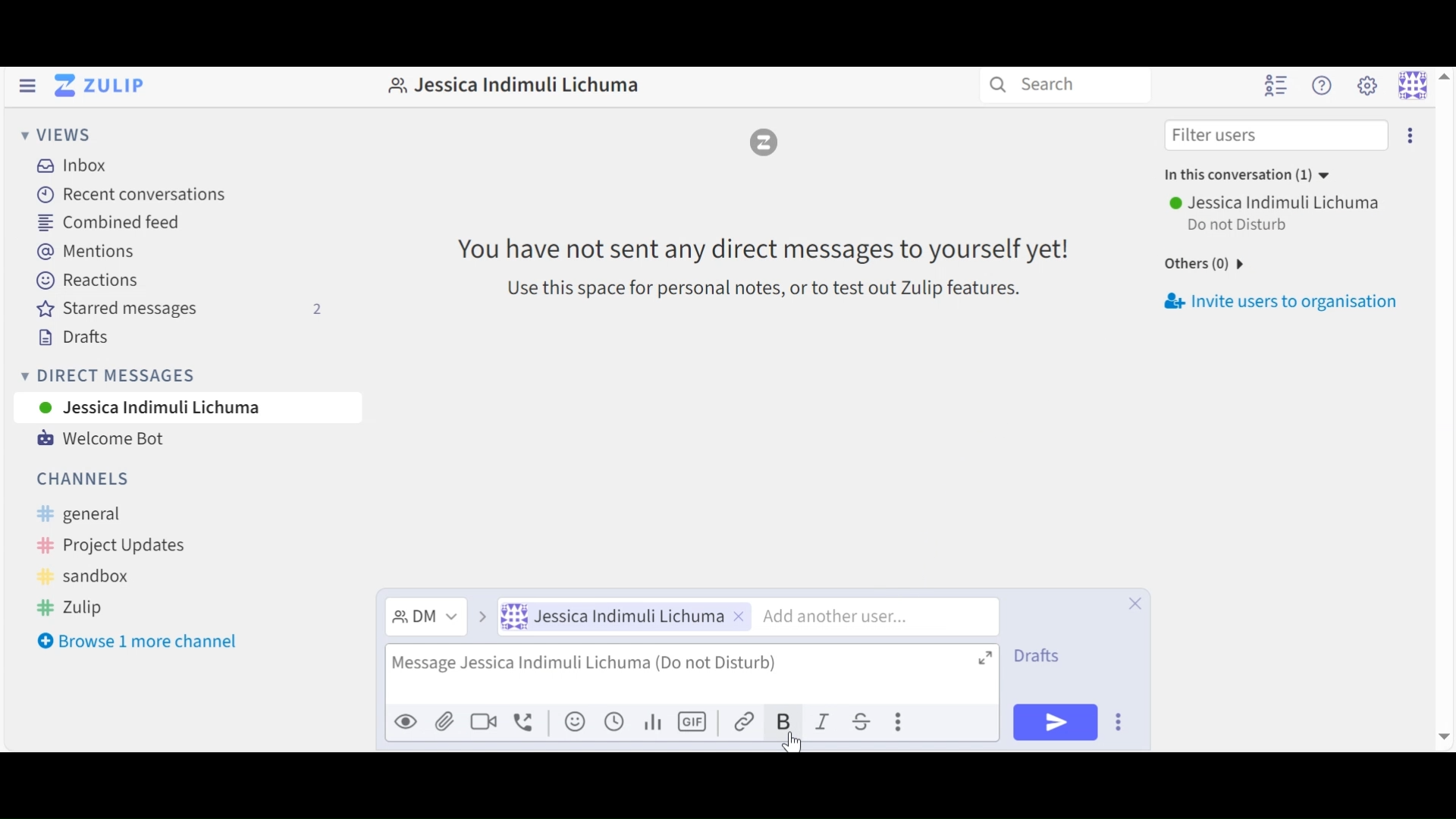 The height and width of the screenshot is (819, 1456). Describe the element at coordinates (110, 224) in the screenshot. I see `Combined feed` at that location.